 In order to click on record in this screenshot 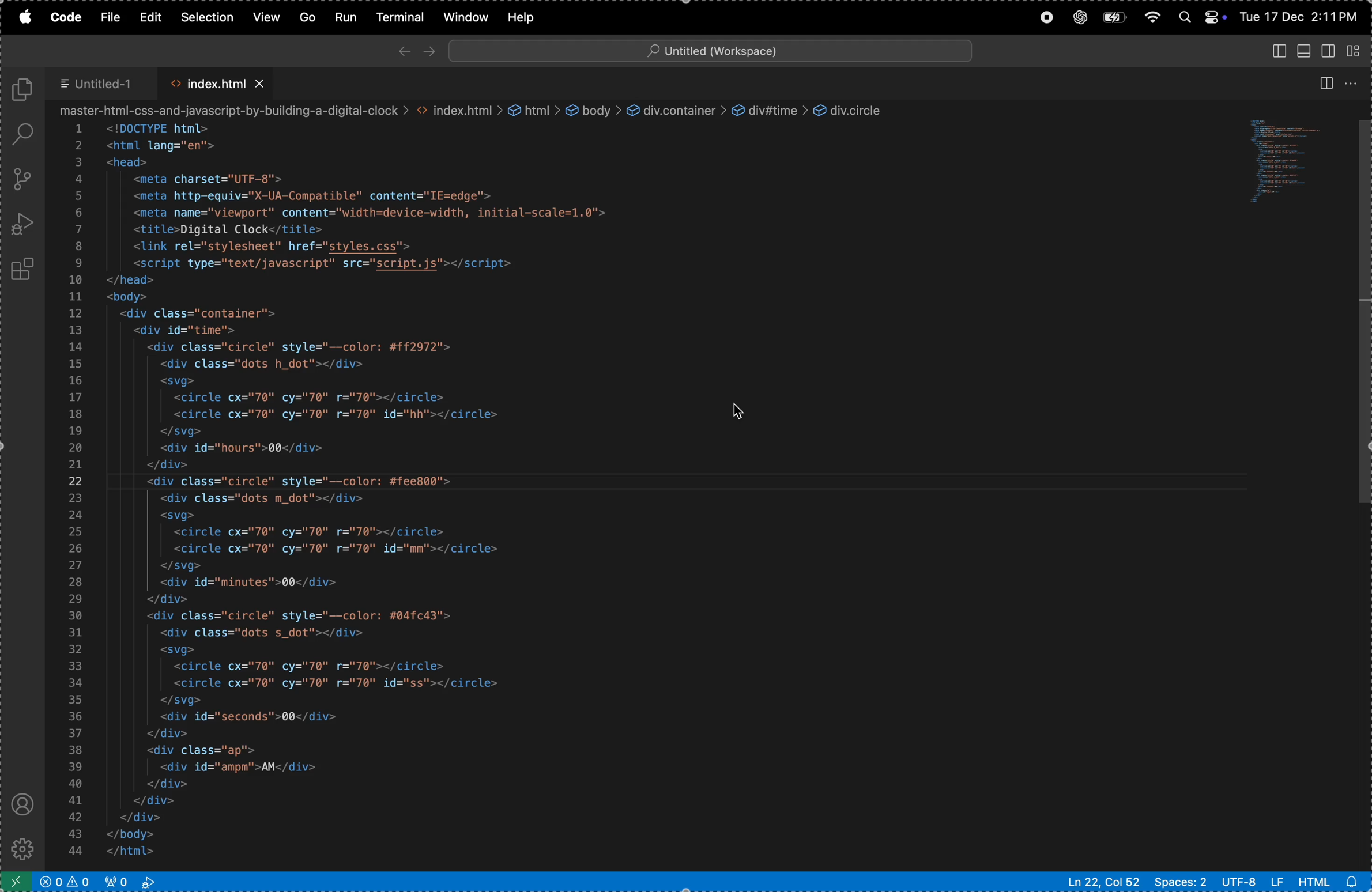, I will do `click(1045, 17)`.